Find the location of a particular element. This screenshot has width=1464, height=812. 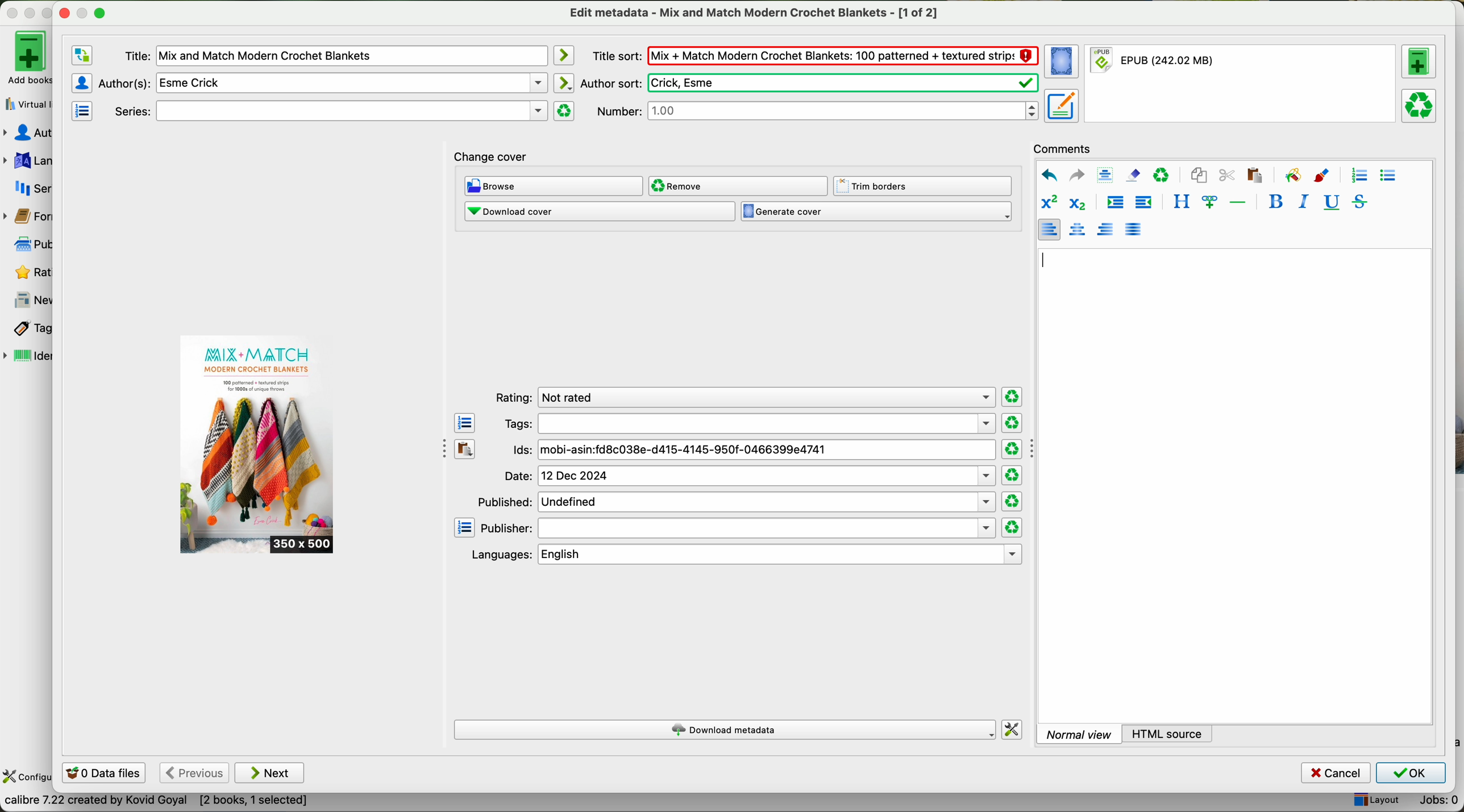

strikeout is located at coordinates (1358, 201).